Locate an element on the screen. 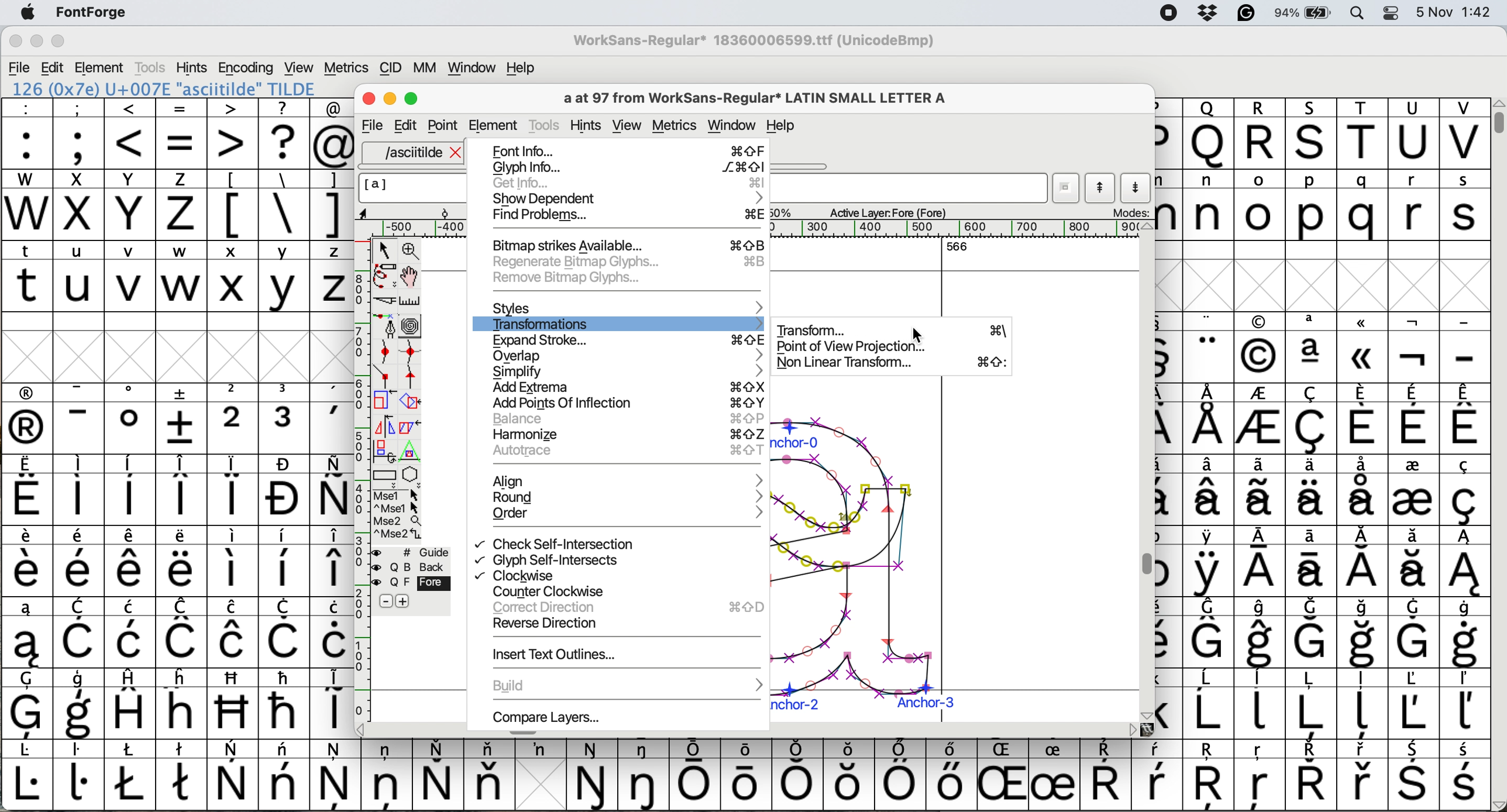  symbol is located at coordinates (1415, 349).